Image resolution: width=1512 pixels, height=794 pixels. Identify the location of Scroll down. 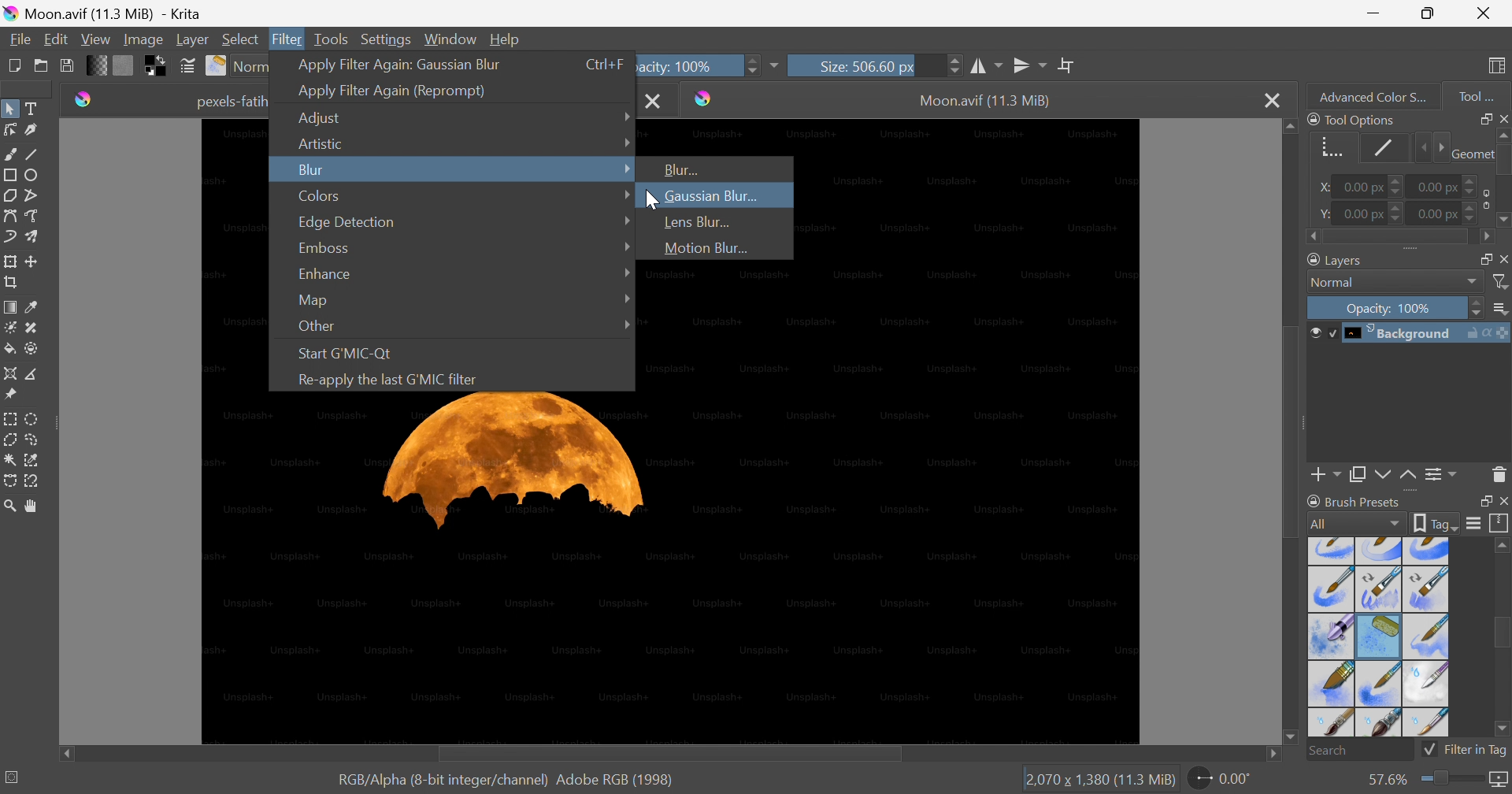
(1289, 740).